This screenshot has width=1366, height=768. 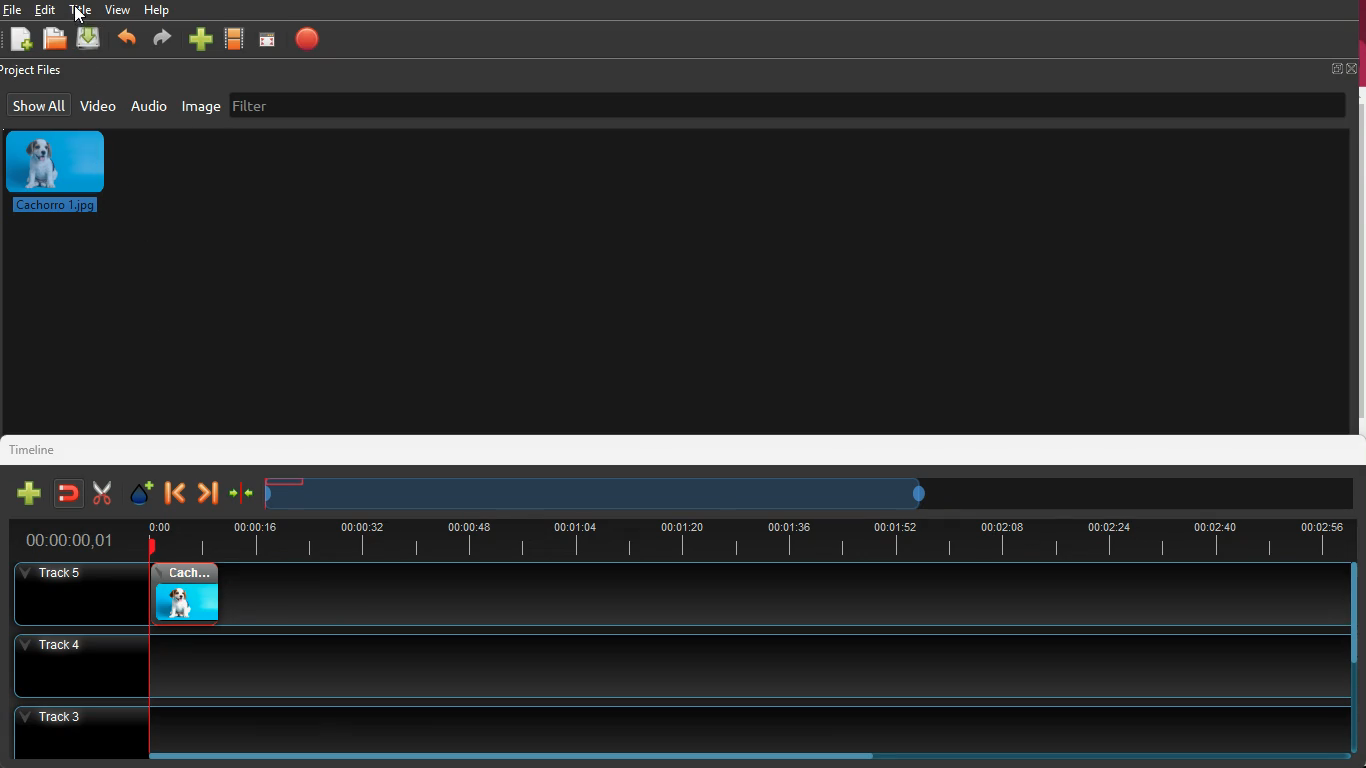 I want to click on file, so click(x=58, y=41).